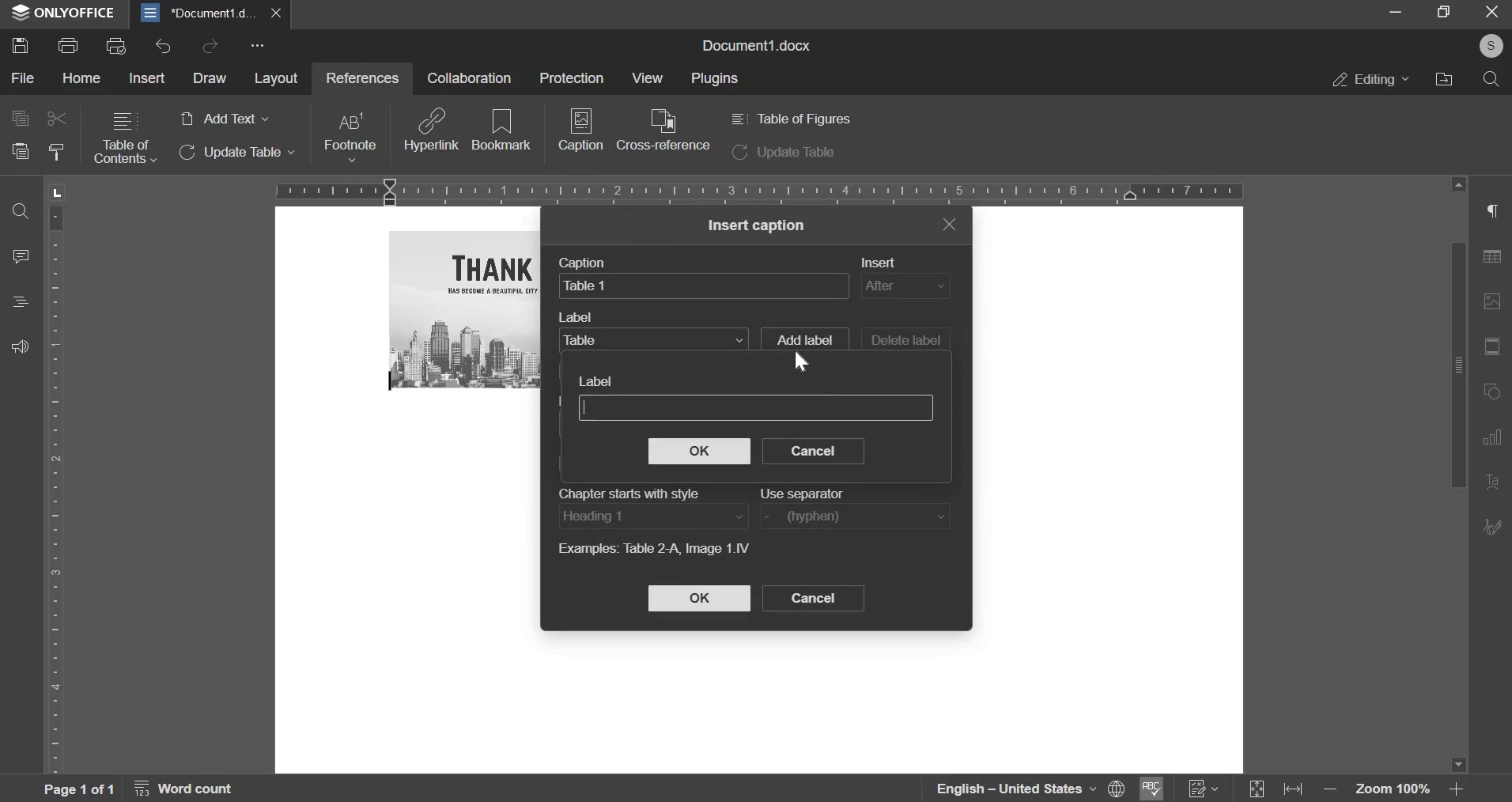 This screenshot has width=1512, height=802. What do you see at coordinates (502, 128) in the screenshot?
I see `bookmark` at bounding box center [502, 128].